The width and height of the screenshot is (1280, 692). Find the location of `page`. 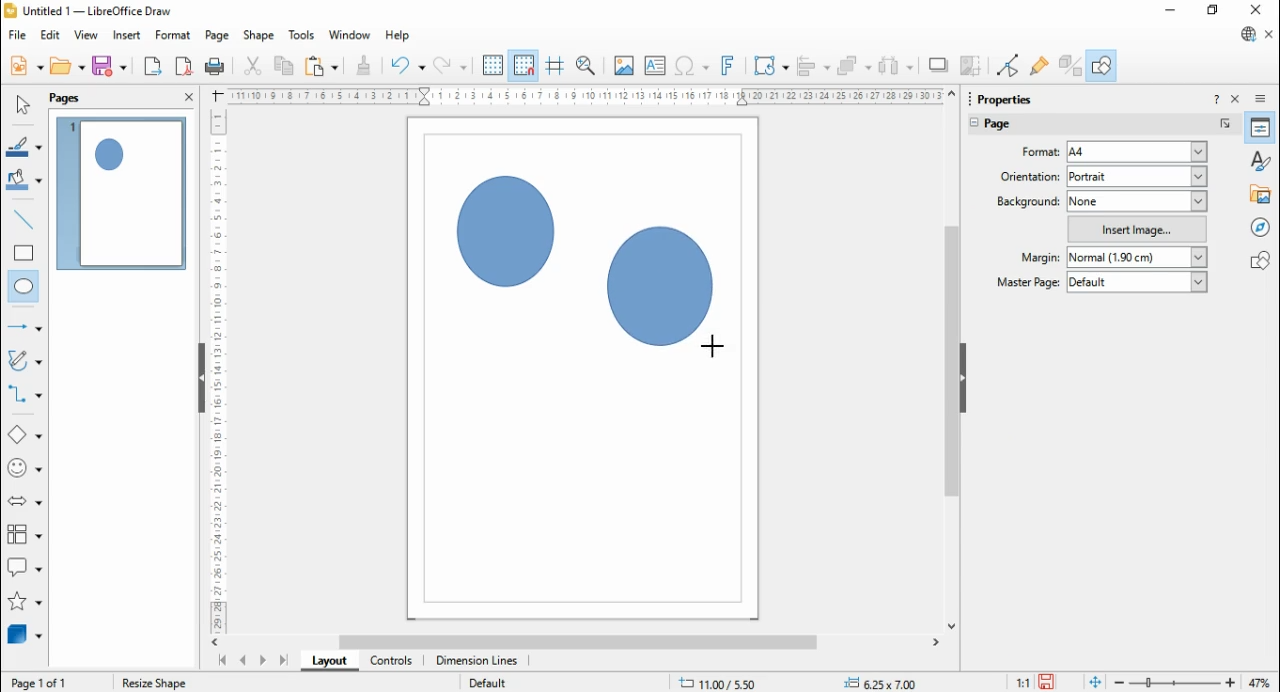

page is located at coordinates (1011, 126).